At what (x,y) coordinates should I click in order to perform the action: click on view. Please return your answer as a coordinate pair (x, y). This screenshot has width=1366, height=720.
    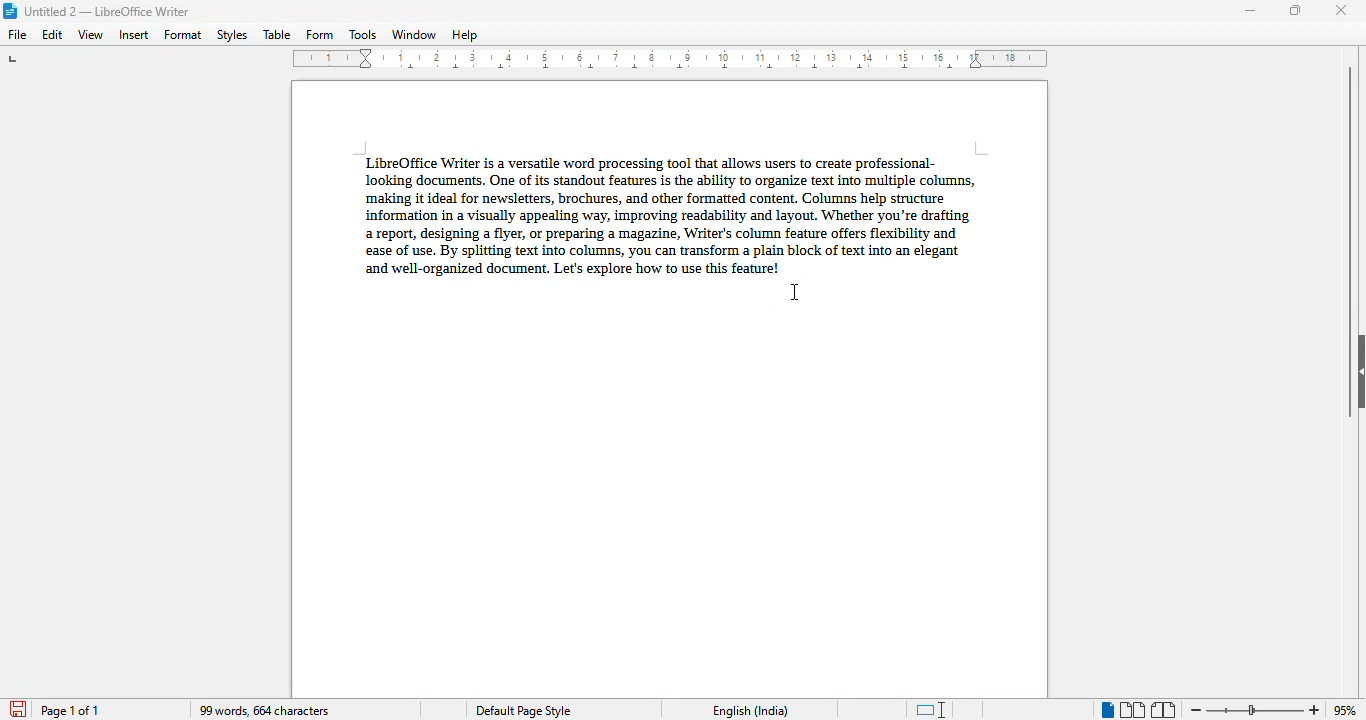
    Looking at the image, I should click on (92, 35).